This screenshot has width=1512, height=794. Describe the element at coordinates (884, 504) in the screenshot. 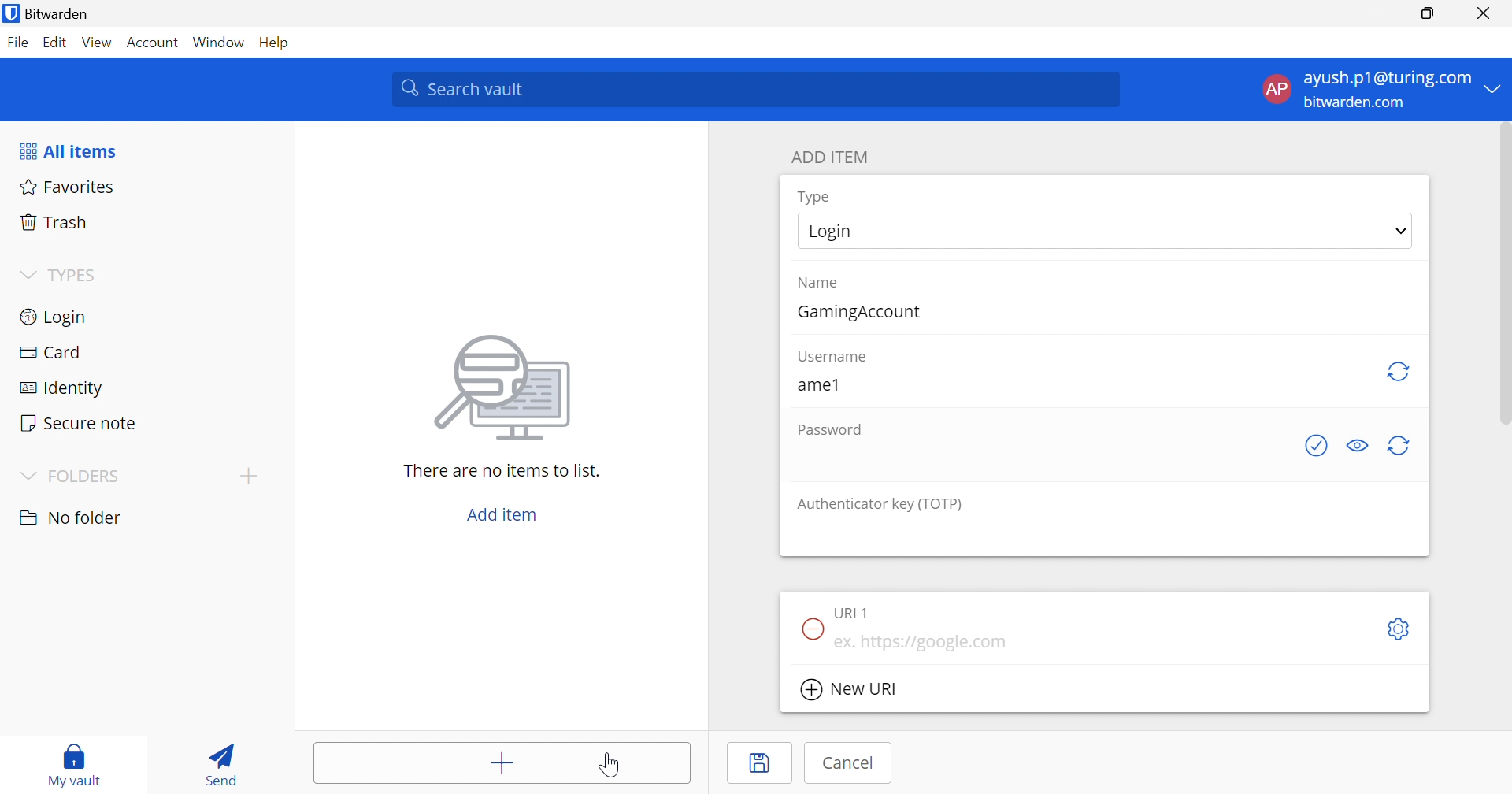

I see `Authenticator key (TOTP)` at that location.